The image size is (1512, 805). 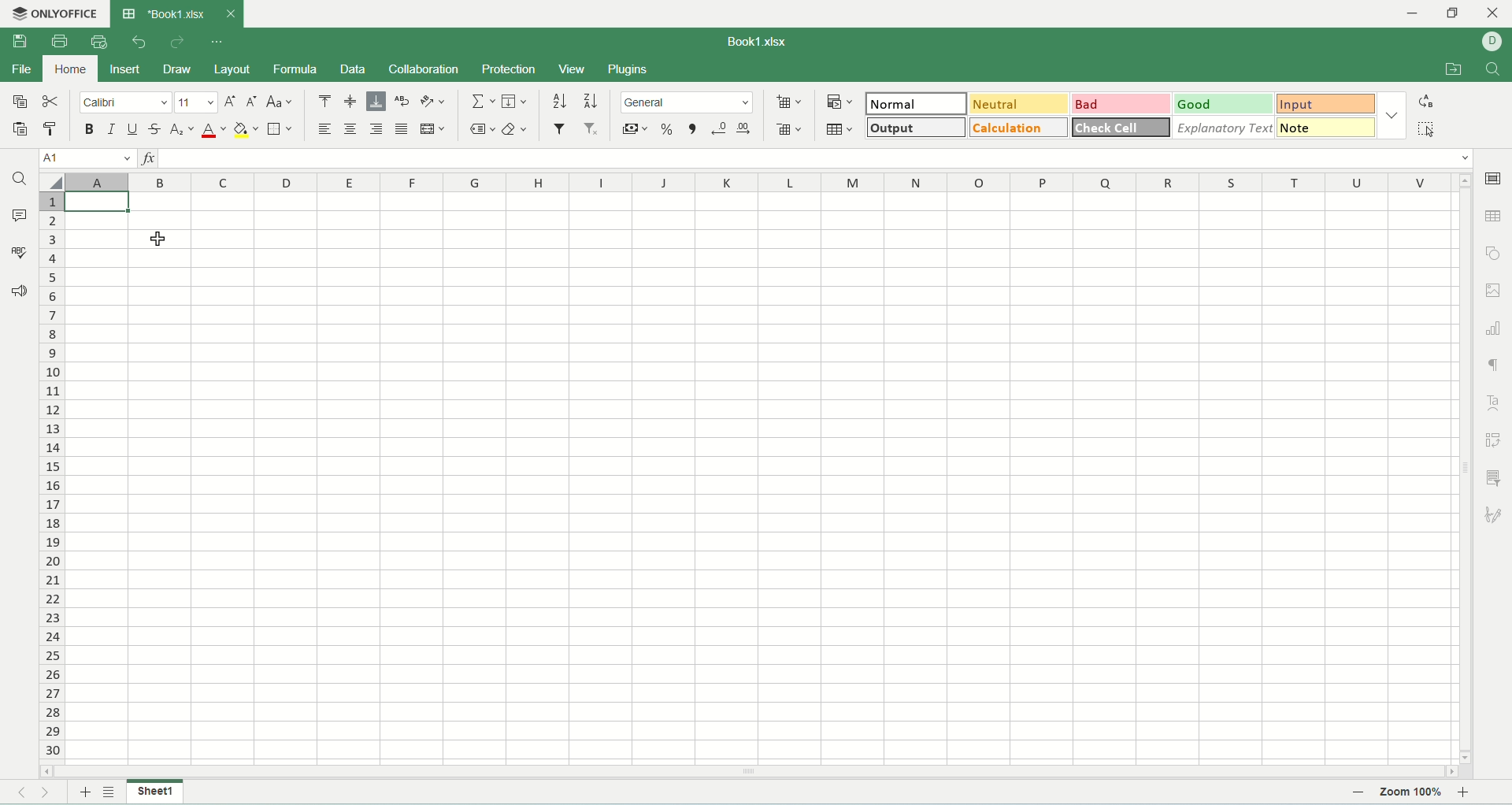 What do you see at coordinates (91, 131) in the screenshot?
I see `bold` at bounding box center [91, 131].